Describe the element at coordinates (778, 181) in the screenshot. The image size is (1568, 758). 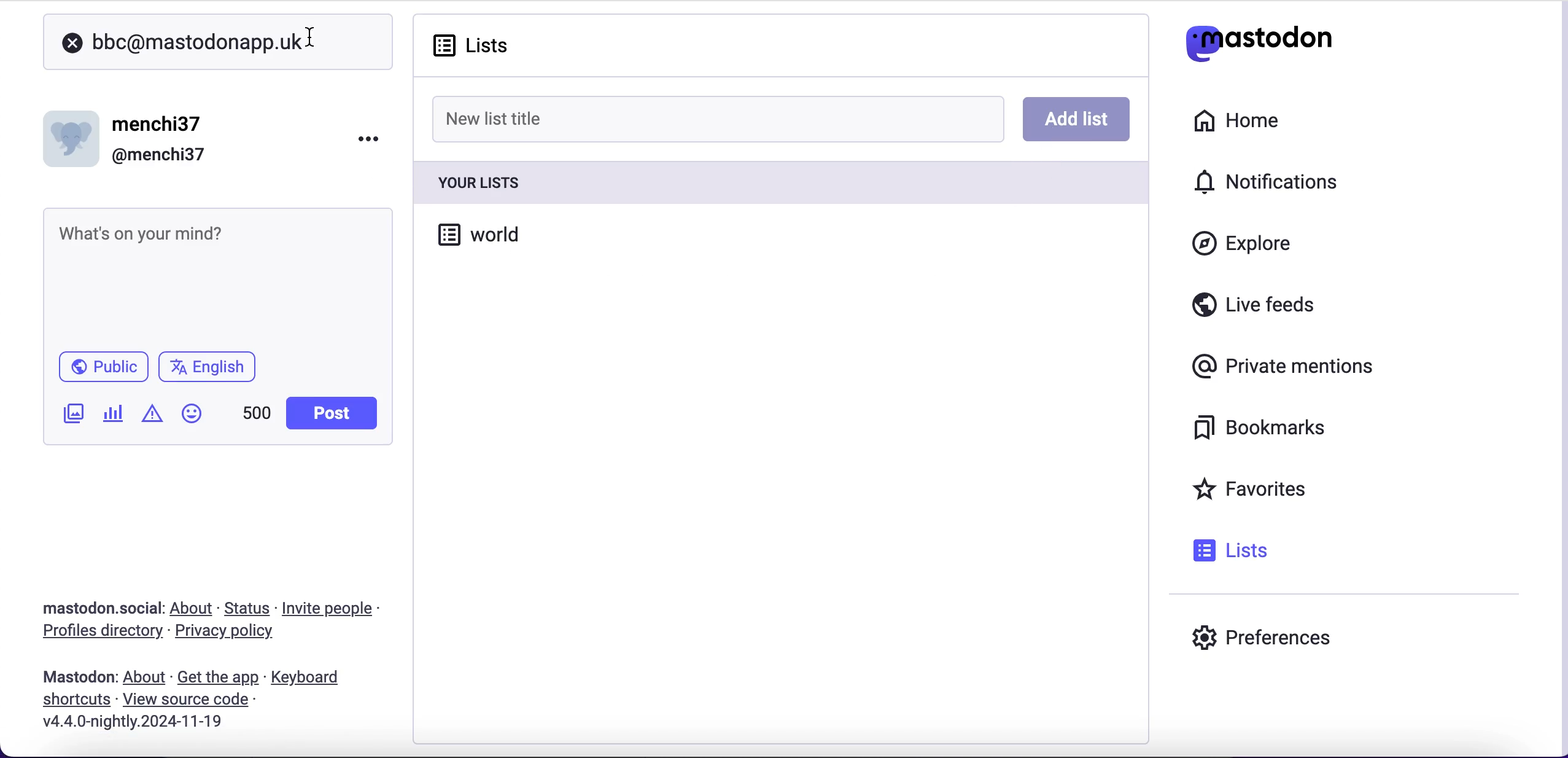
I see `your lists` at that location.